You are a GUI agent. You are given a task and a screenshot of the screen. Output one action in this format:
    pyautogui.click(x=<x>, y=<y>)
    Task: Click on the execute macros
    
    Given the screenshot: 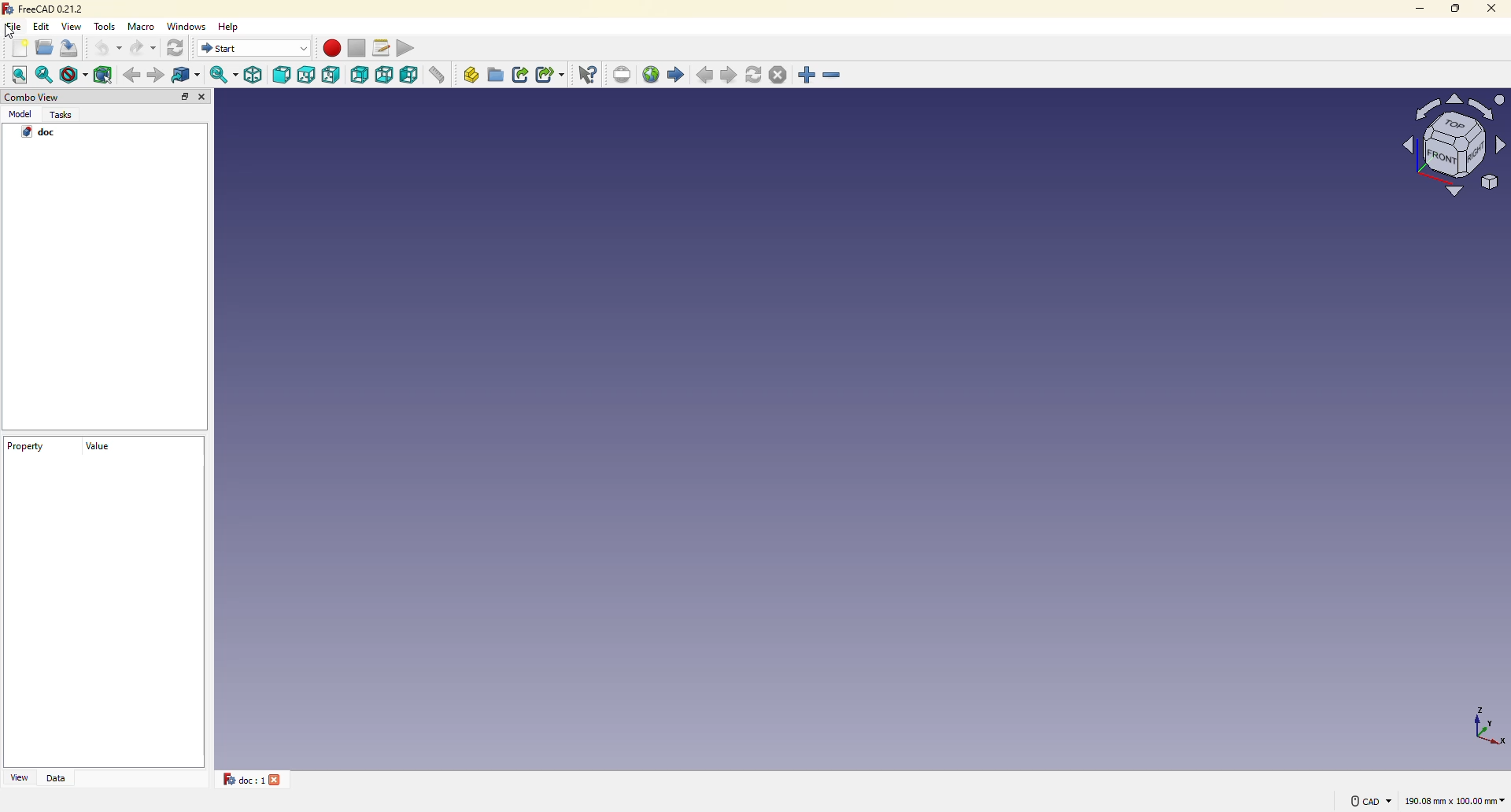 What is the action you would take?
    pyautogui.click(x=411, y=46)
    